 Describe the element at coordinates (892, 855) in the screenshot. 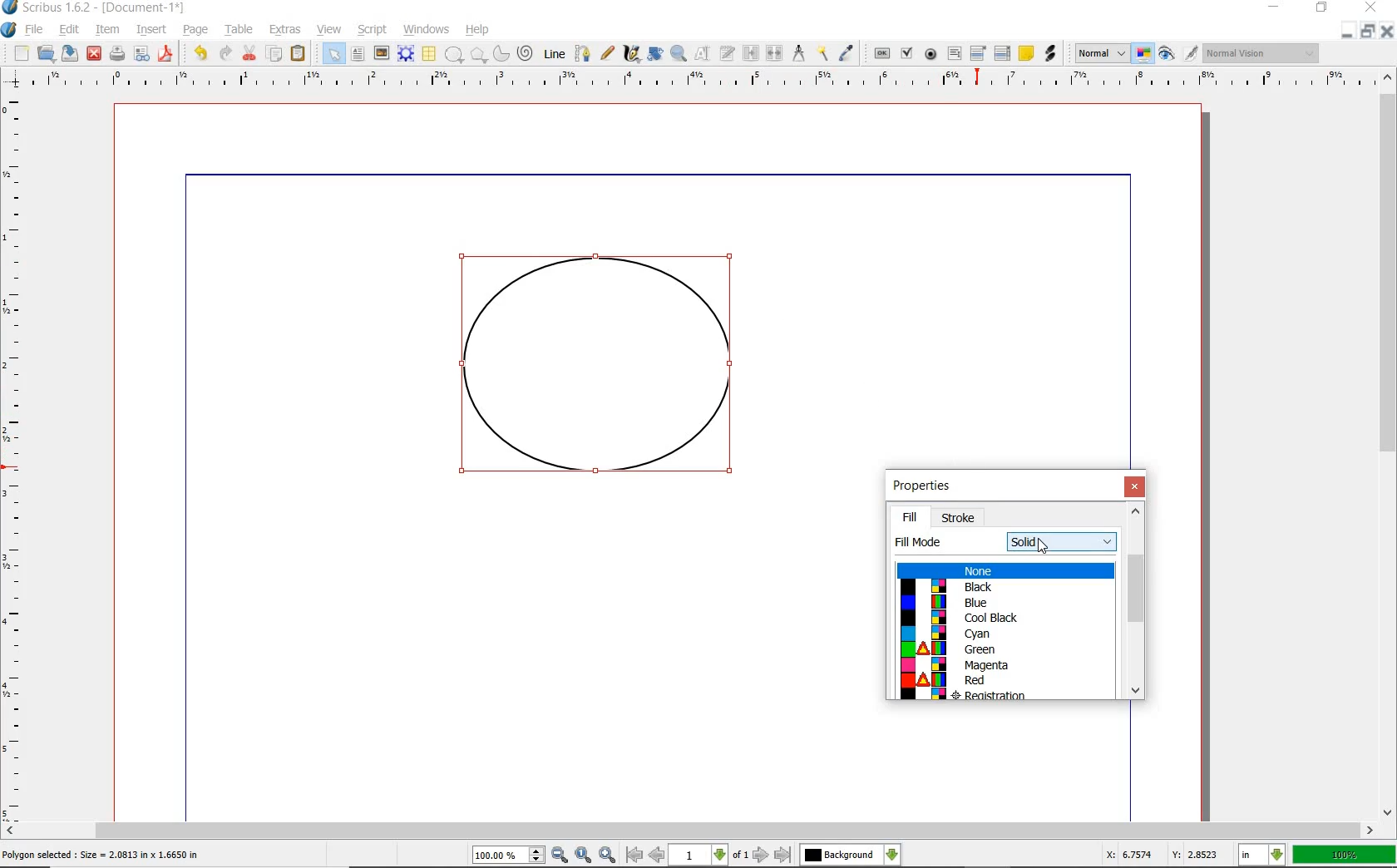

I see `select the current layer` at that location.